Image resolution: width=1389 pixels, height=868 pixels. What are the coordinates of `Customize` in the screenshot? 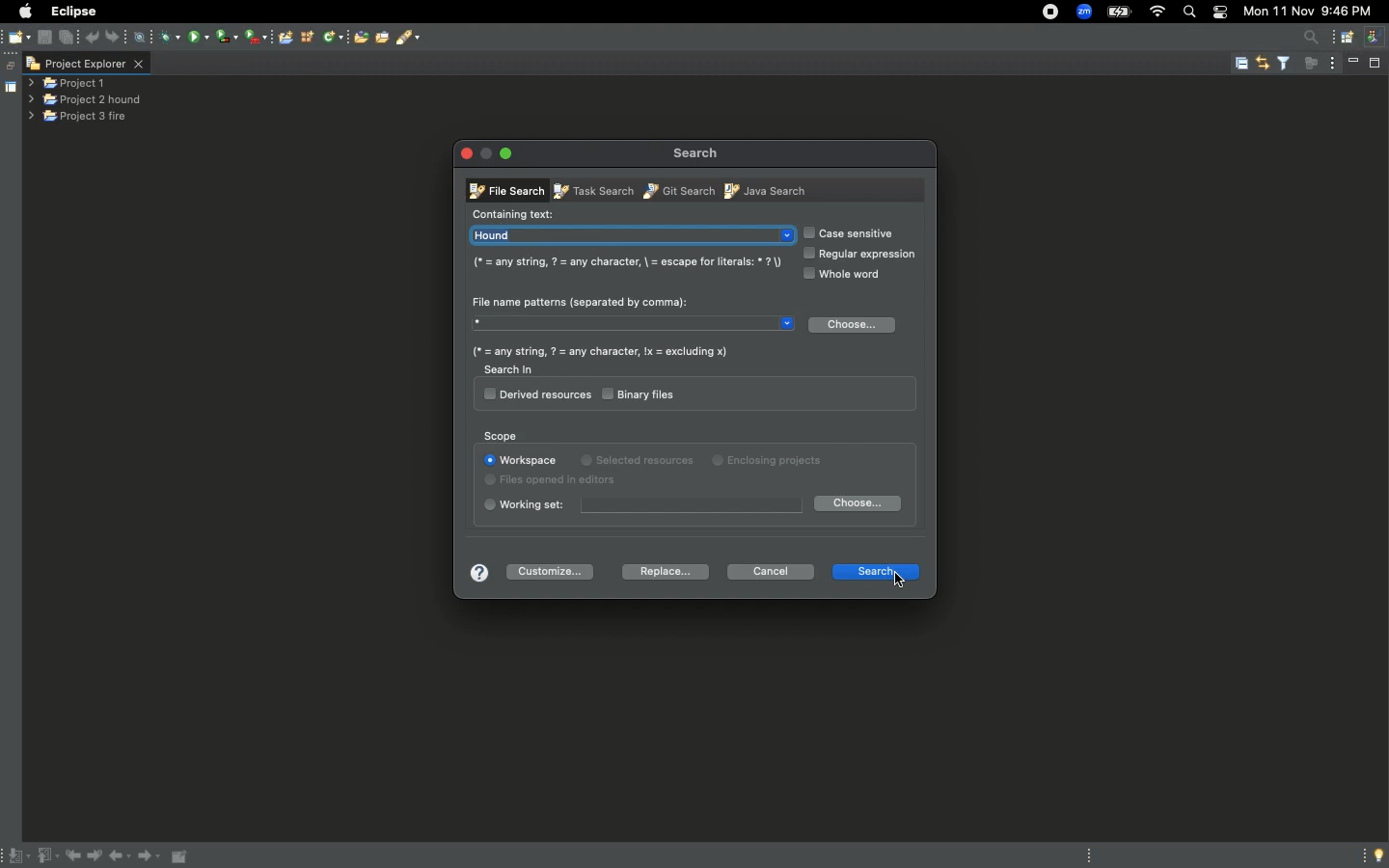 It's located at (555, 570).